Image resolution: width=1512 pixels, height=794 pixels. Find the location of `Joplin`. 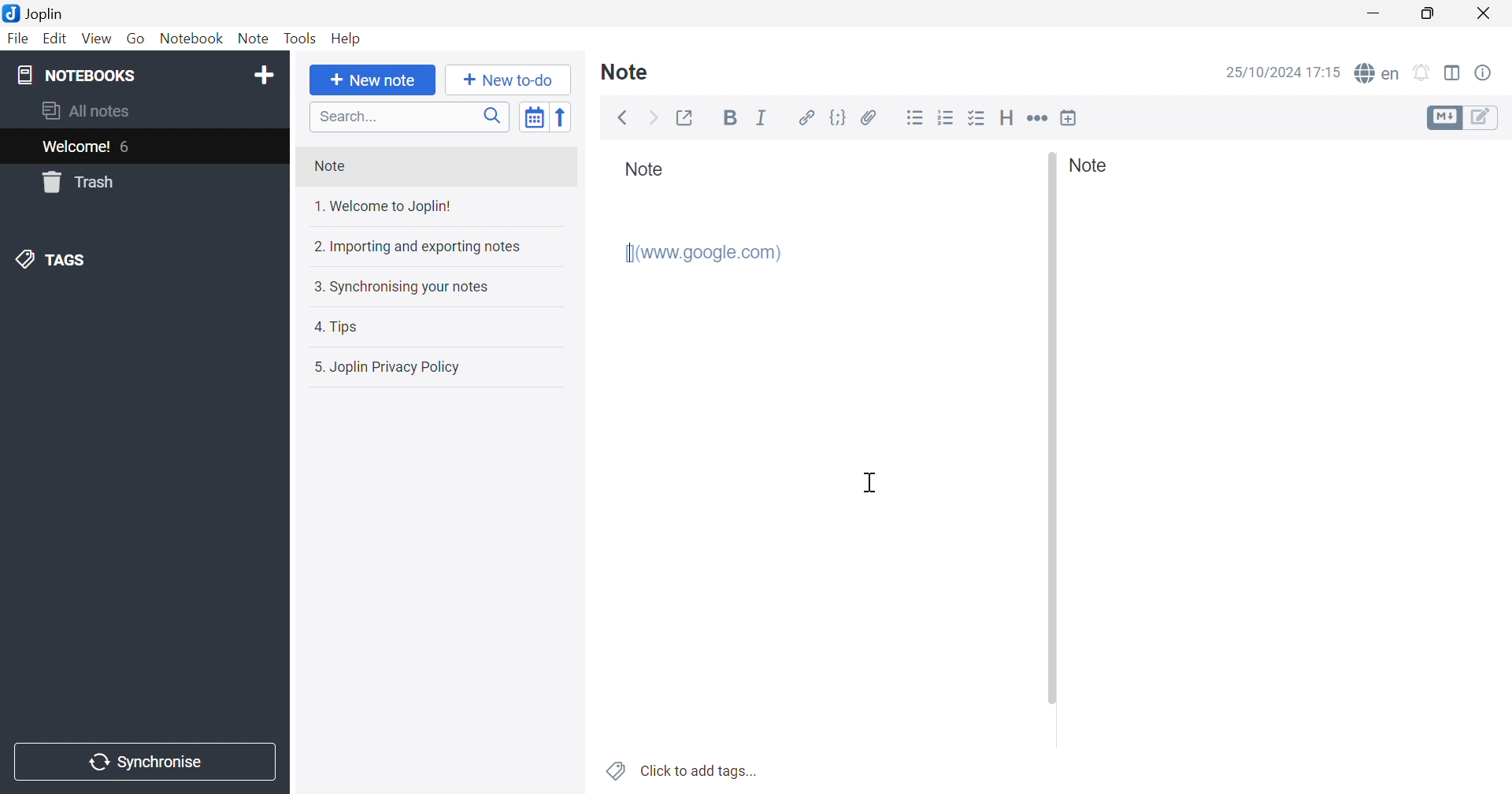

Joplin is located at coordinates (46, 13).